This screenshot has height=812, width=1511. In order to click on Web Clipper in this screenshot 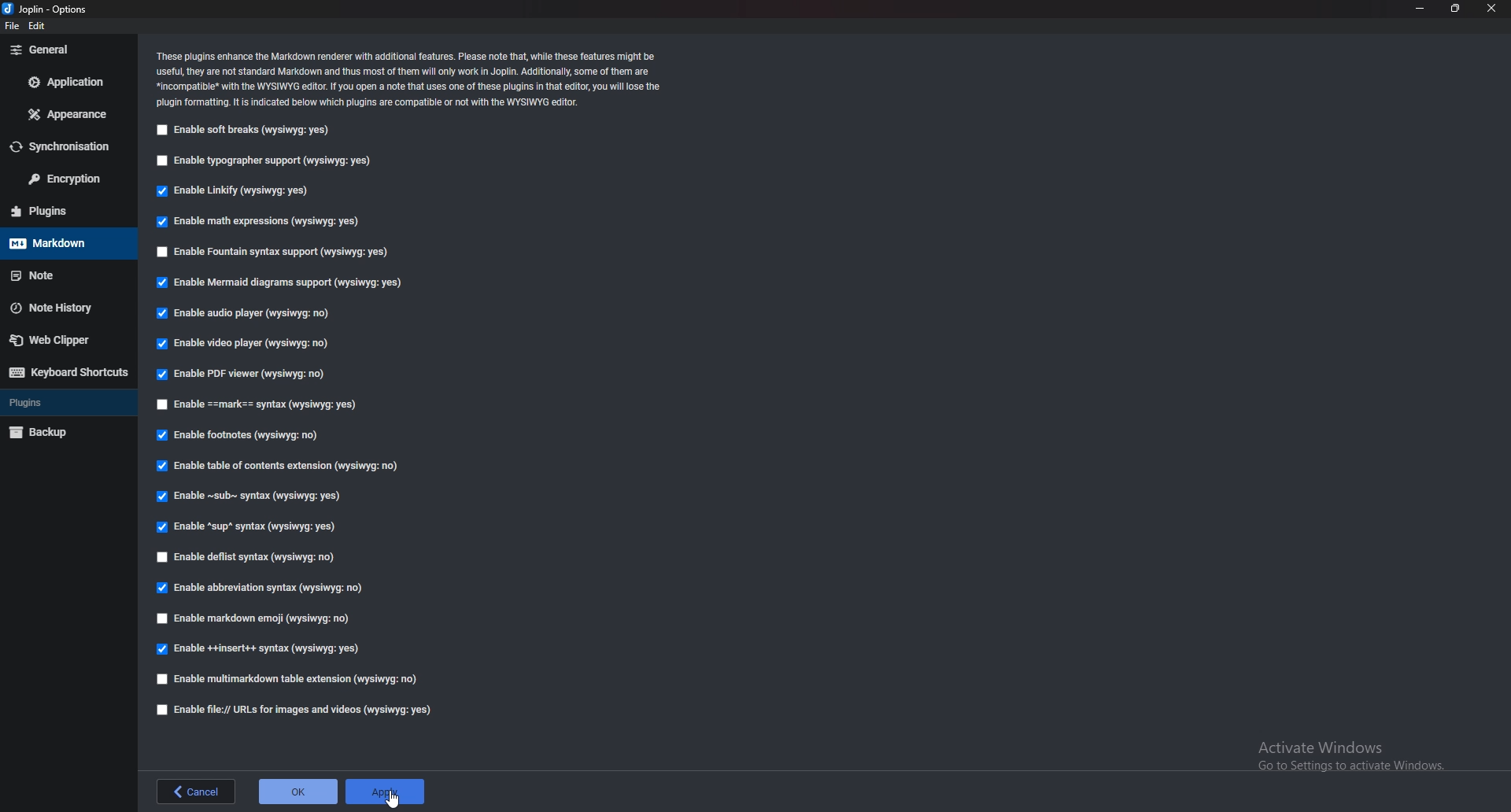, I will do `click(67, 341)`.